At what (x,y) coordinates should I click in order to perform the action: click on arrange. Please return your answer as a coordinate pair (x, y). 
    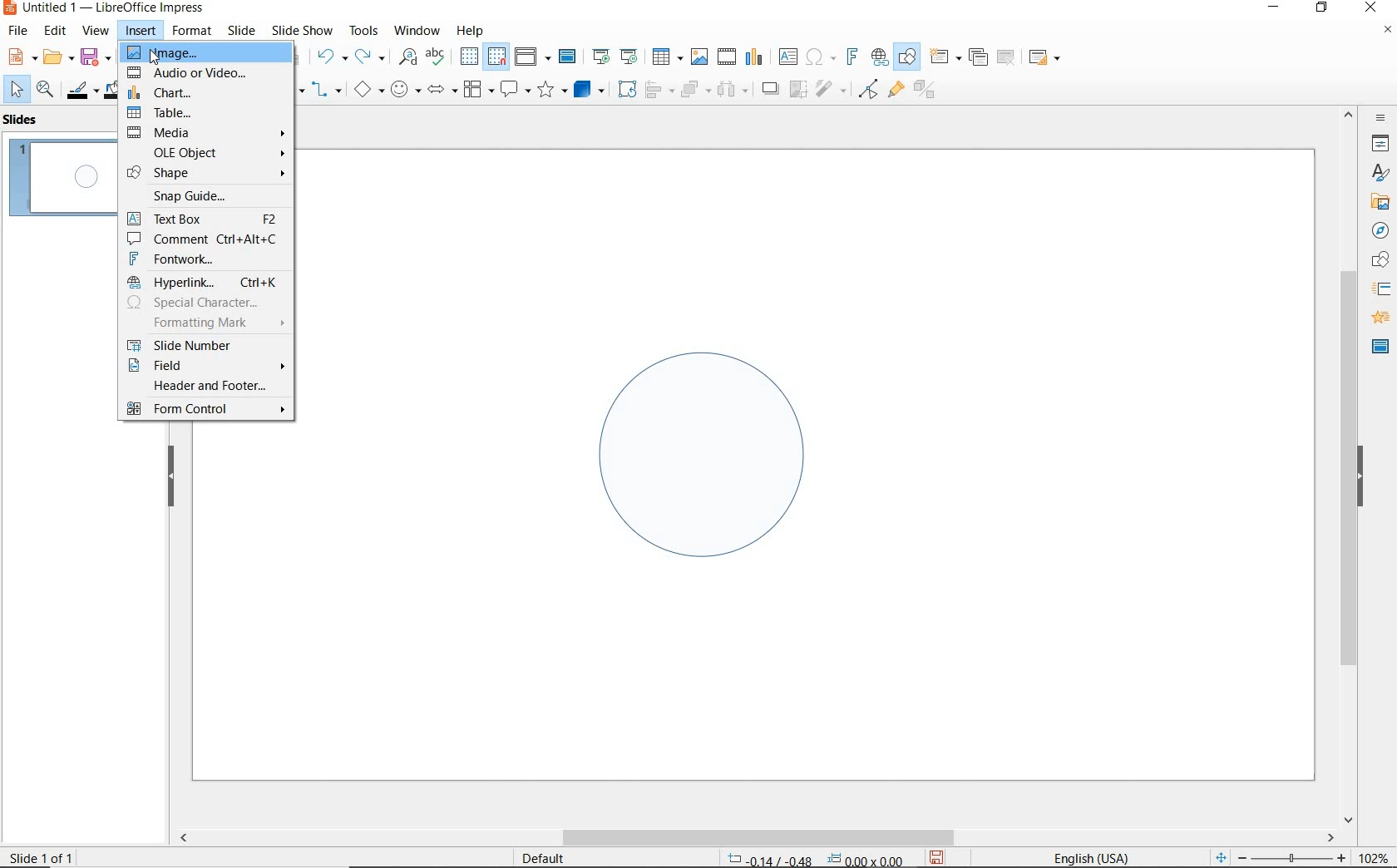
    Looking at the image, I should click on (692, 88).